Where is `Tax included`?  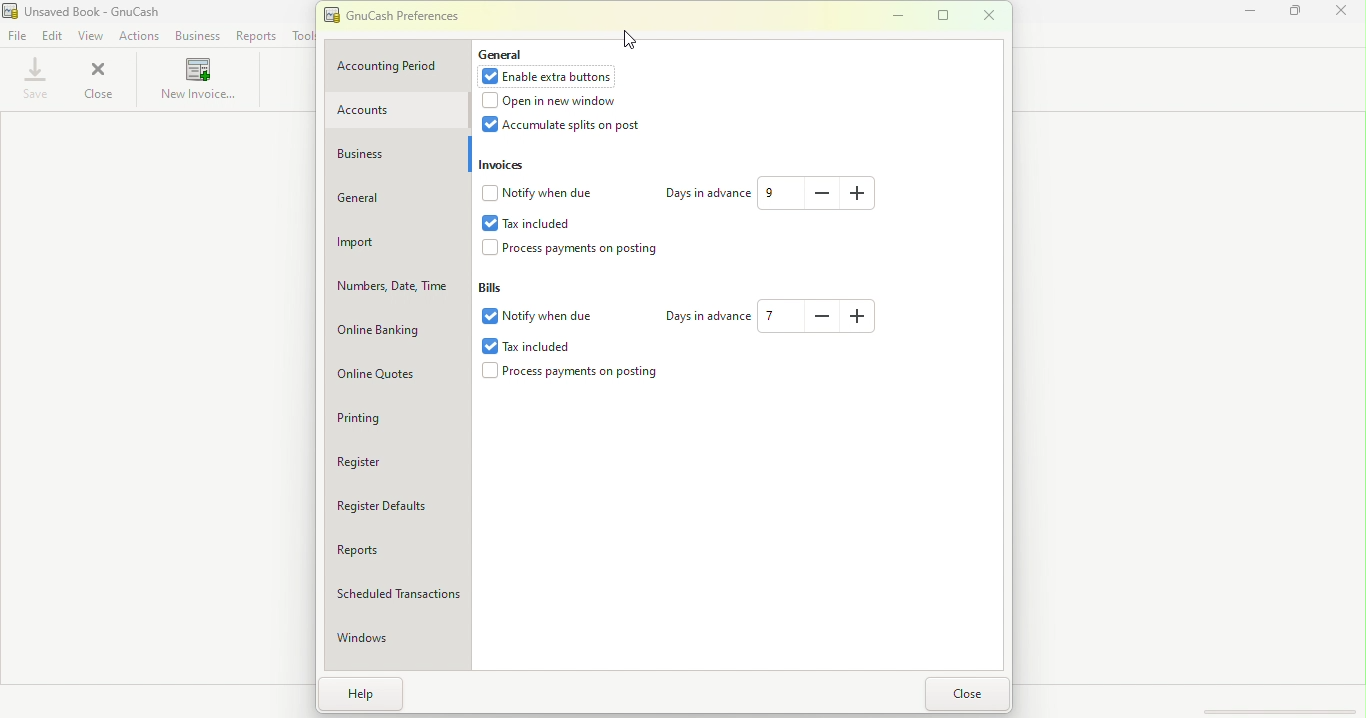 Tax included is located at coordinates (537, 347).